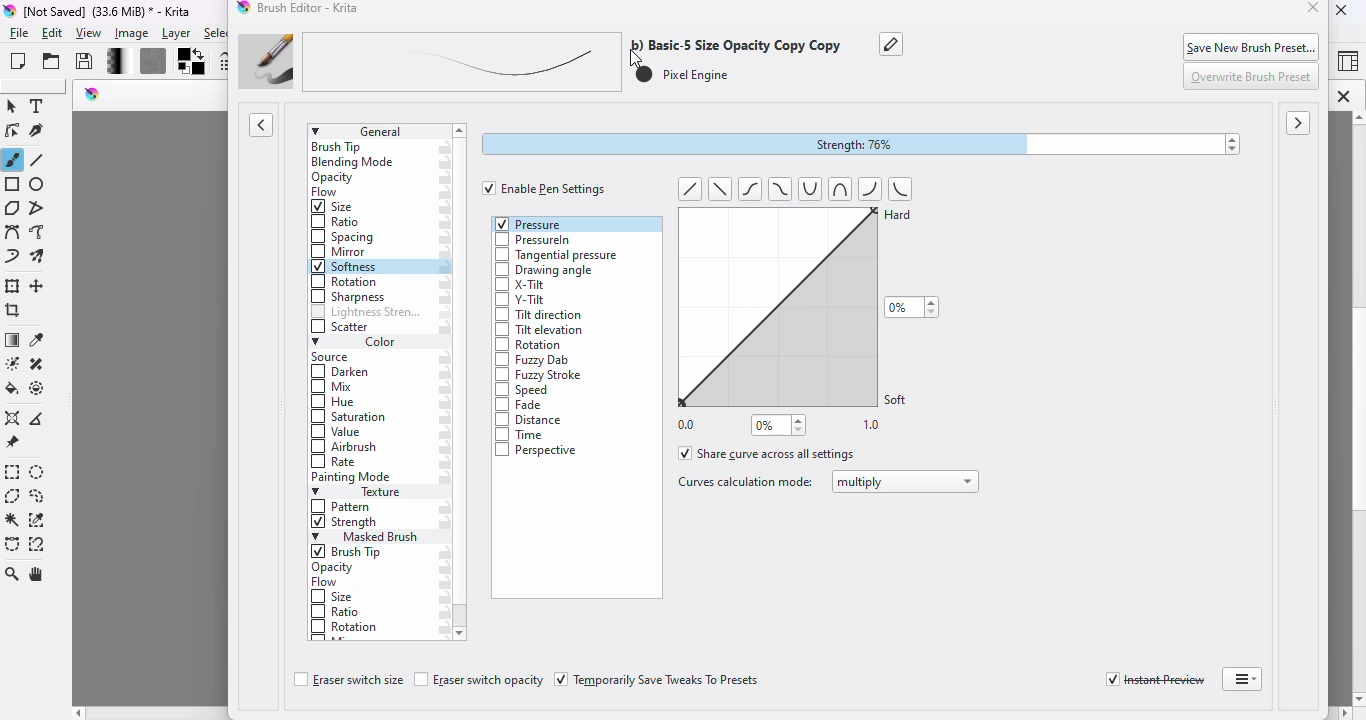 The width and height of the screenshot is (1366, 720). Describe the element at coordinates (900, 222) in the screenshot. I see `Hard` at that location.